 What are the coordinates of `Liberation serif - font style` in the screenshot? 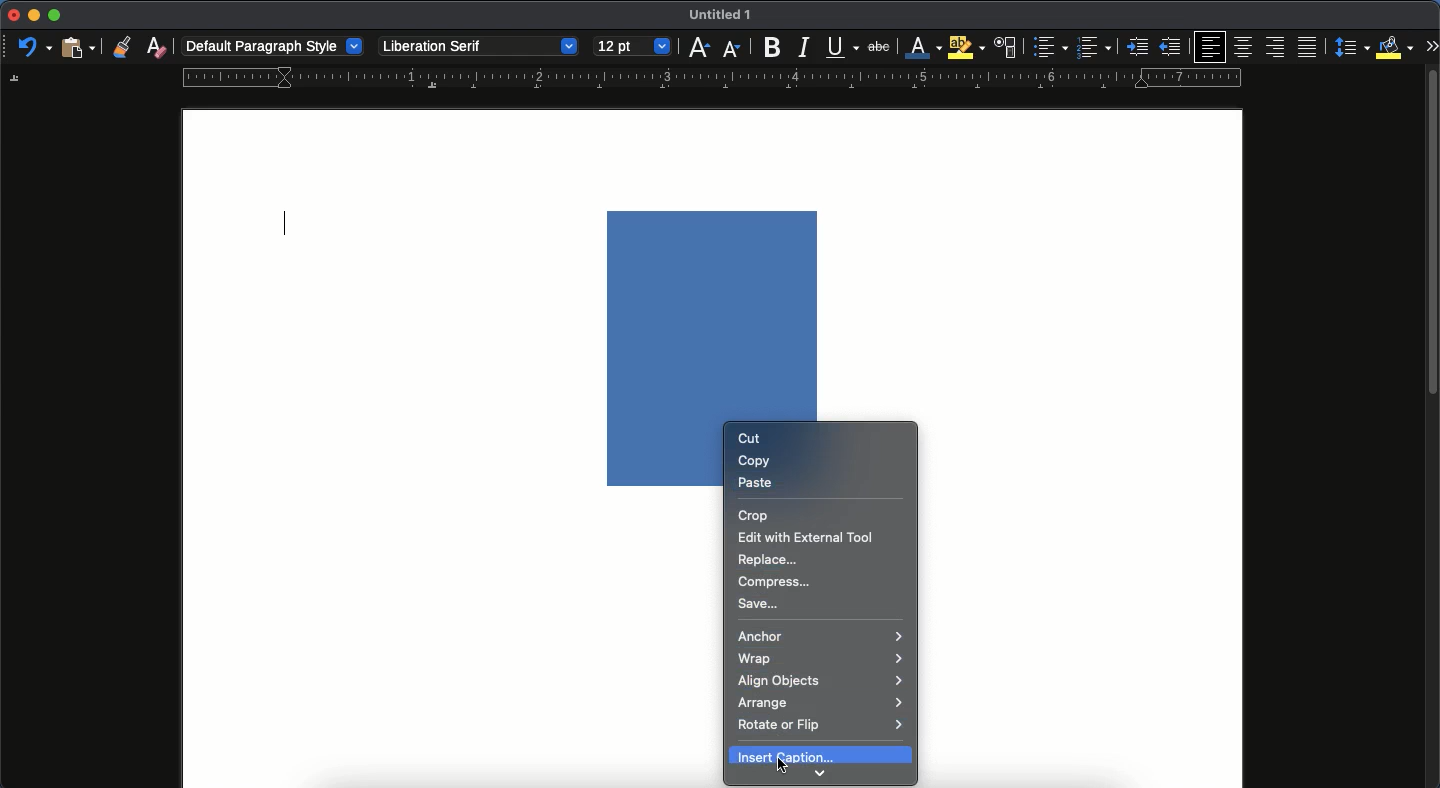 It's located at (476, 47).